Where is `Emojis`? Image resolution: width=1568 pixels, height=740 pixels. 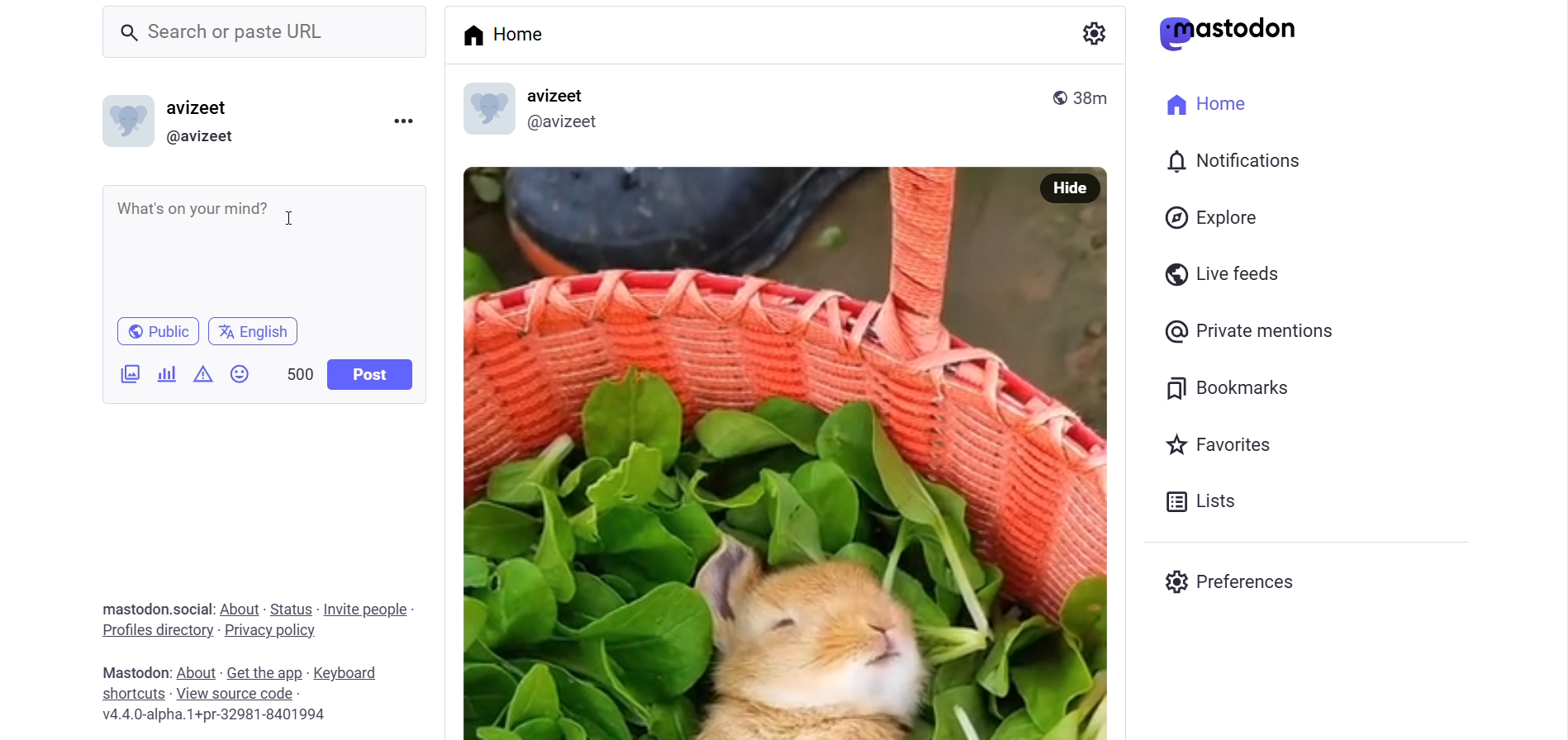
Emojis is located at coordinates (242, 373).